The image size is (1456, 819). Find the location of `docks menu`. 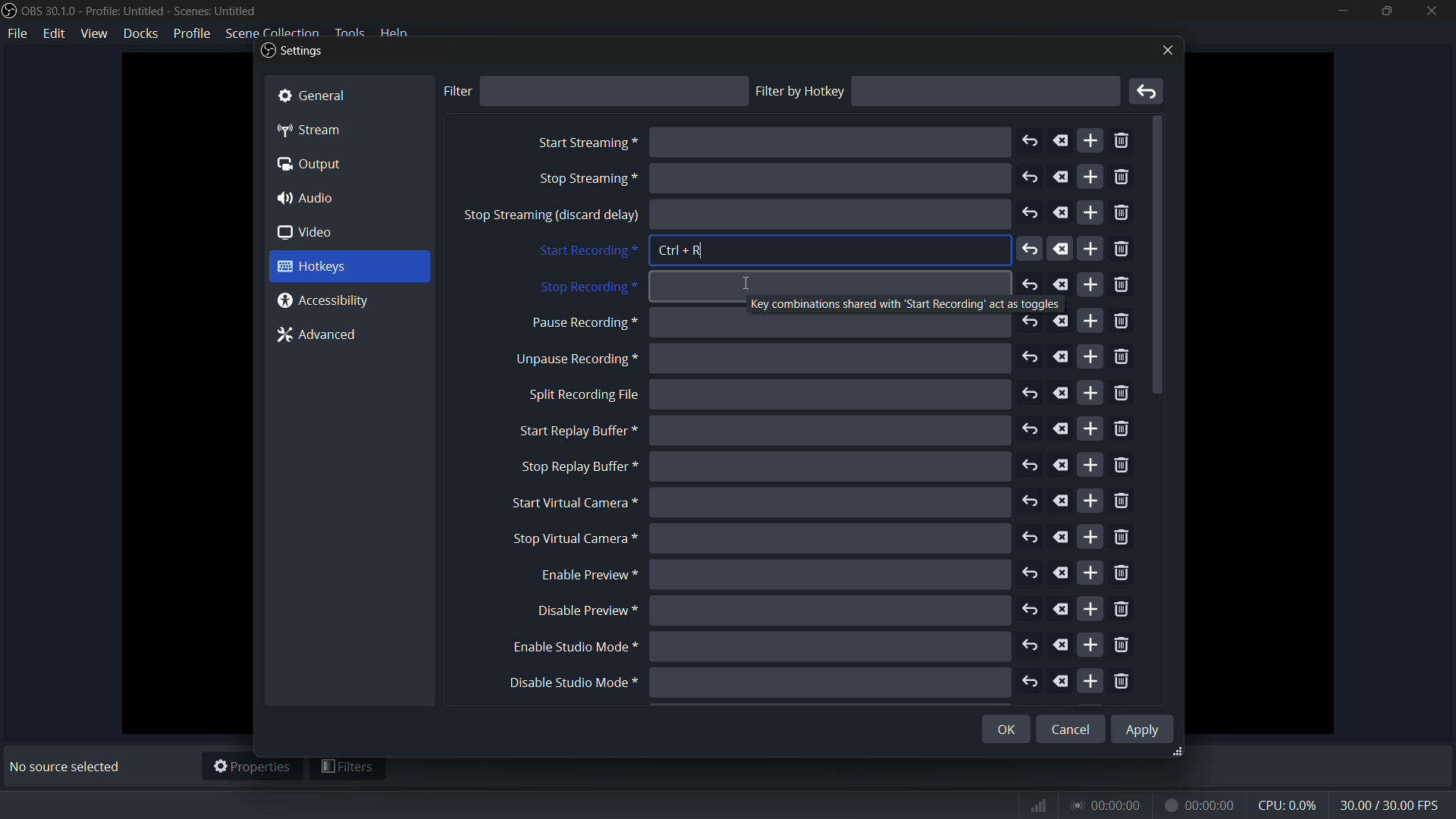

docks menu is located at coordinates (142, 33).